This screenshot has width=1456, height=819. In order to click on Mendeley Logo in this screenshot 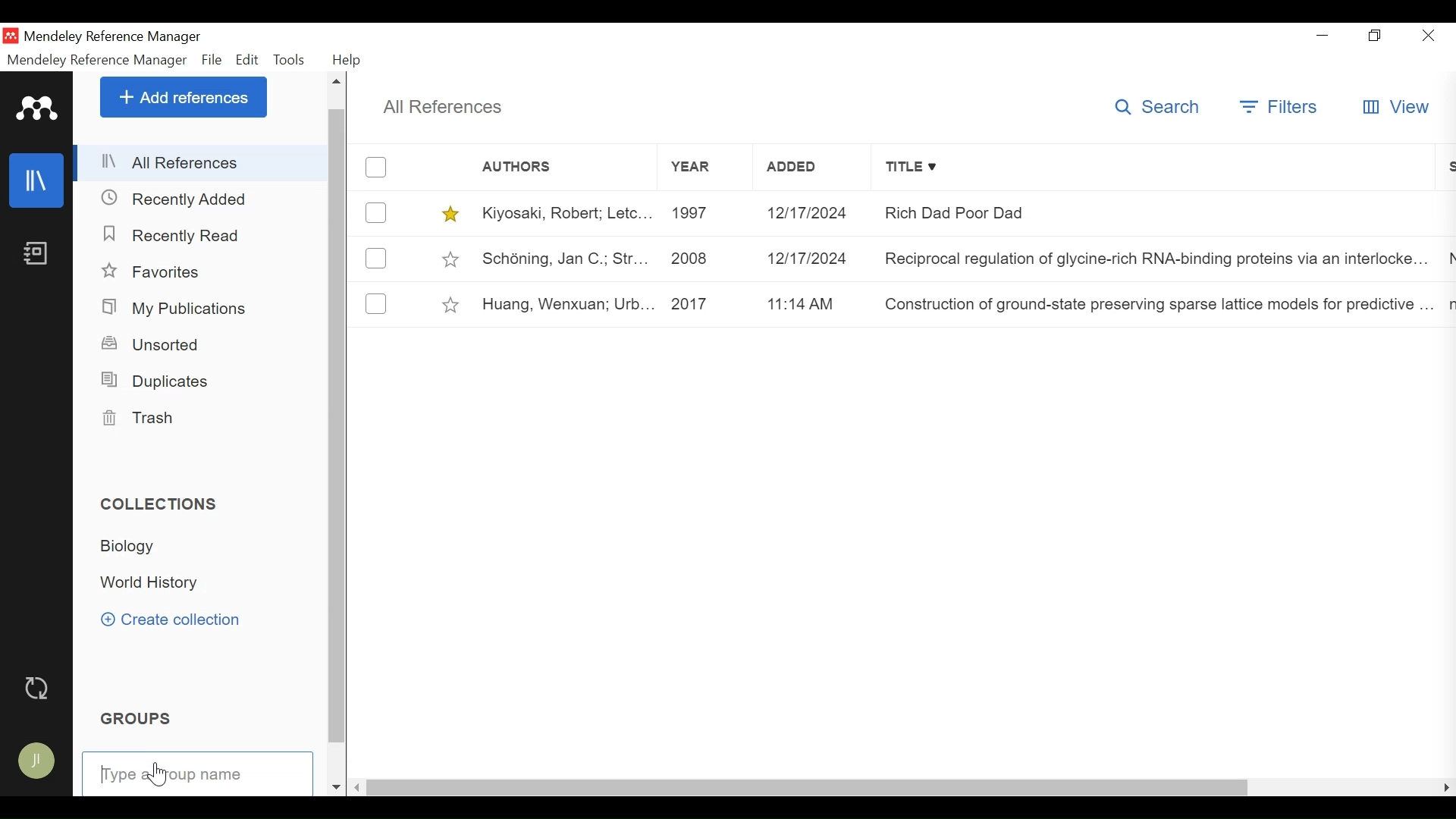, I will do `click(37, 108)`.